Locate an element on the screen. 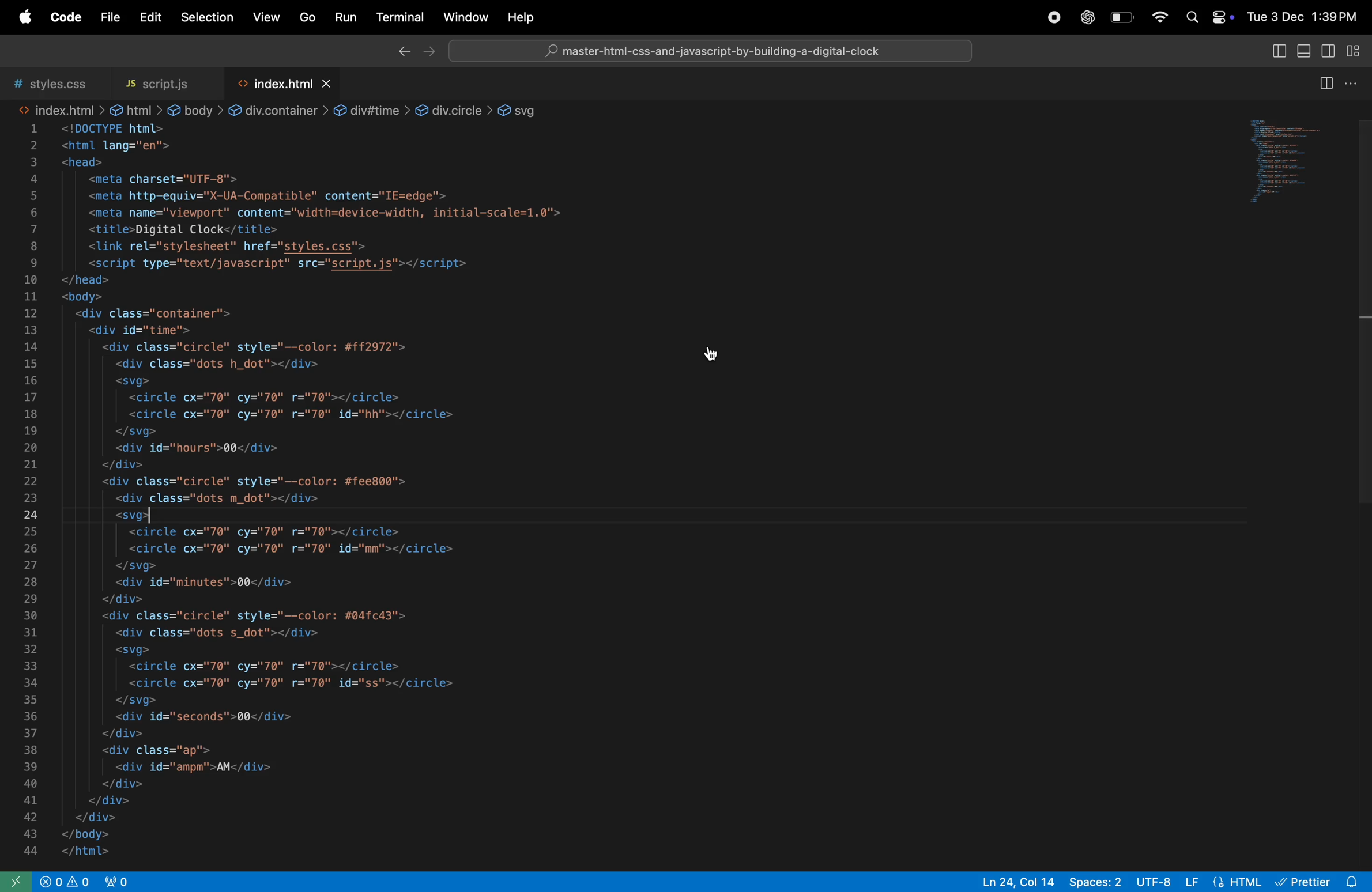  preview window is located at coordinates (1296, 167).